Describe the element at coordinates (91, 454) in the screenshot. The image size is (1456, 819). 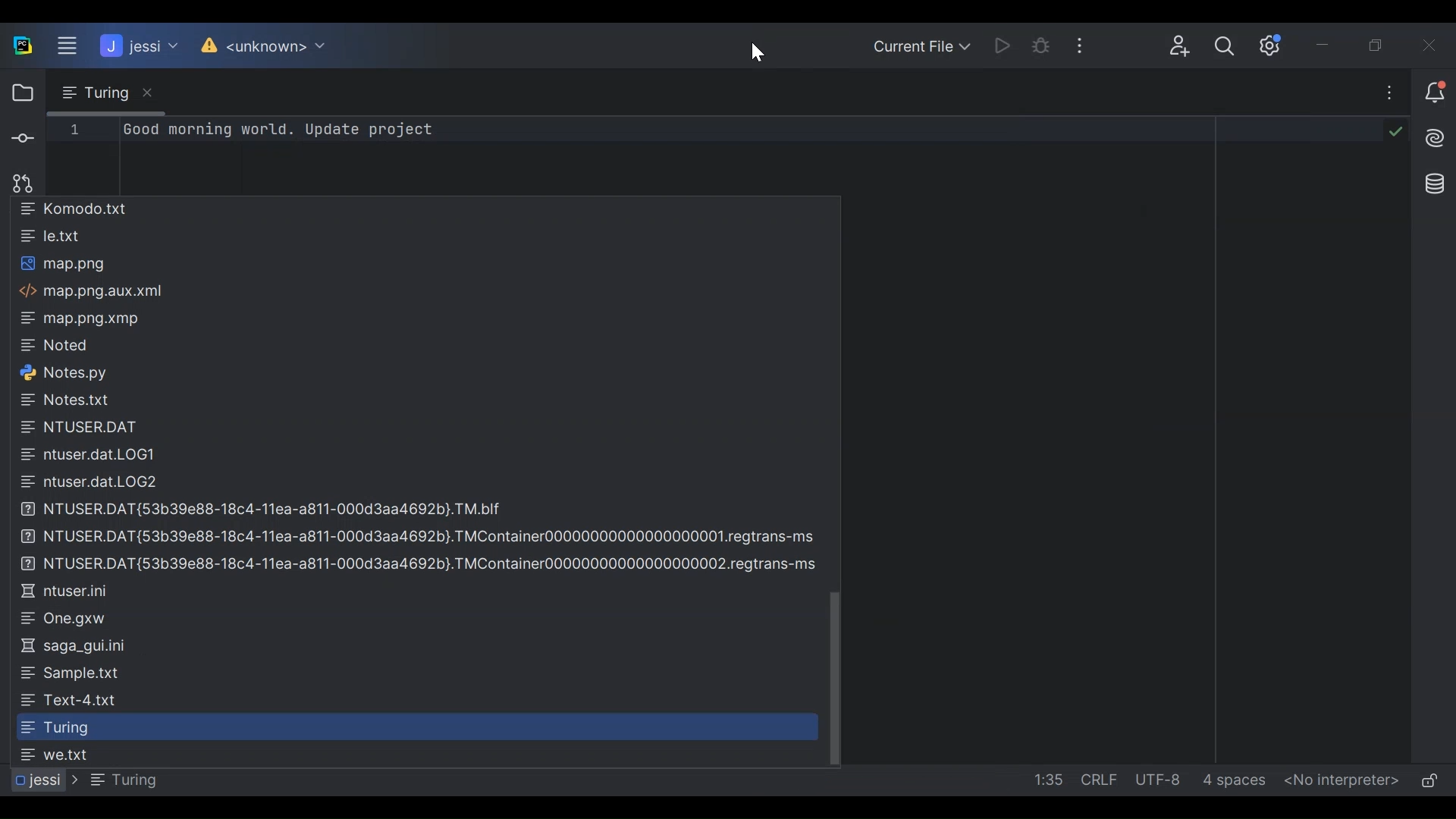
I see `ntuser.dat.LOG1` at that location.